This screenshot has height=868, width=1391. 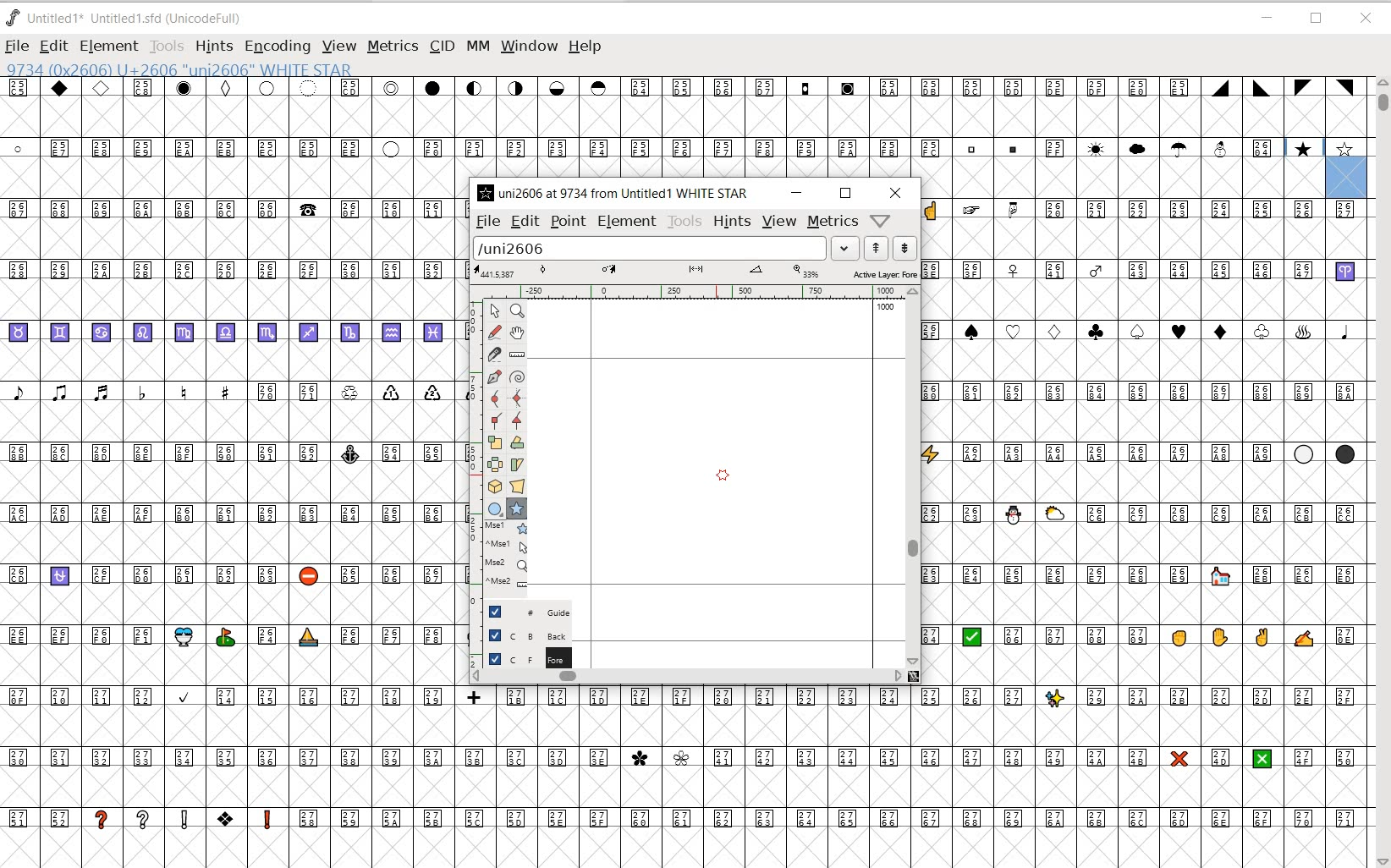 What do you see at coordinates (627, 194) in the screenshot?
I see `uni2606 at 9734 from Untitled 1* WHITE STAR` at bounding box center [627, 194].